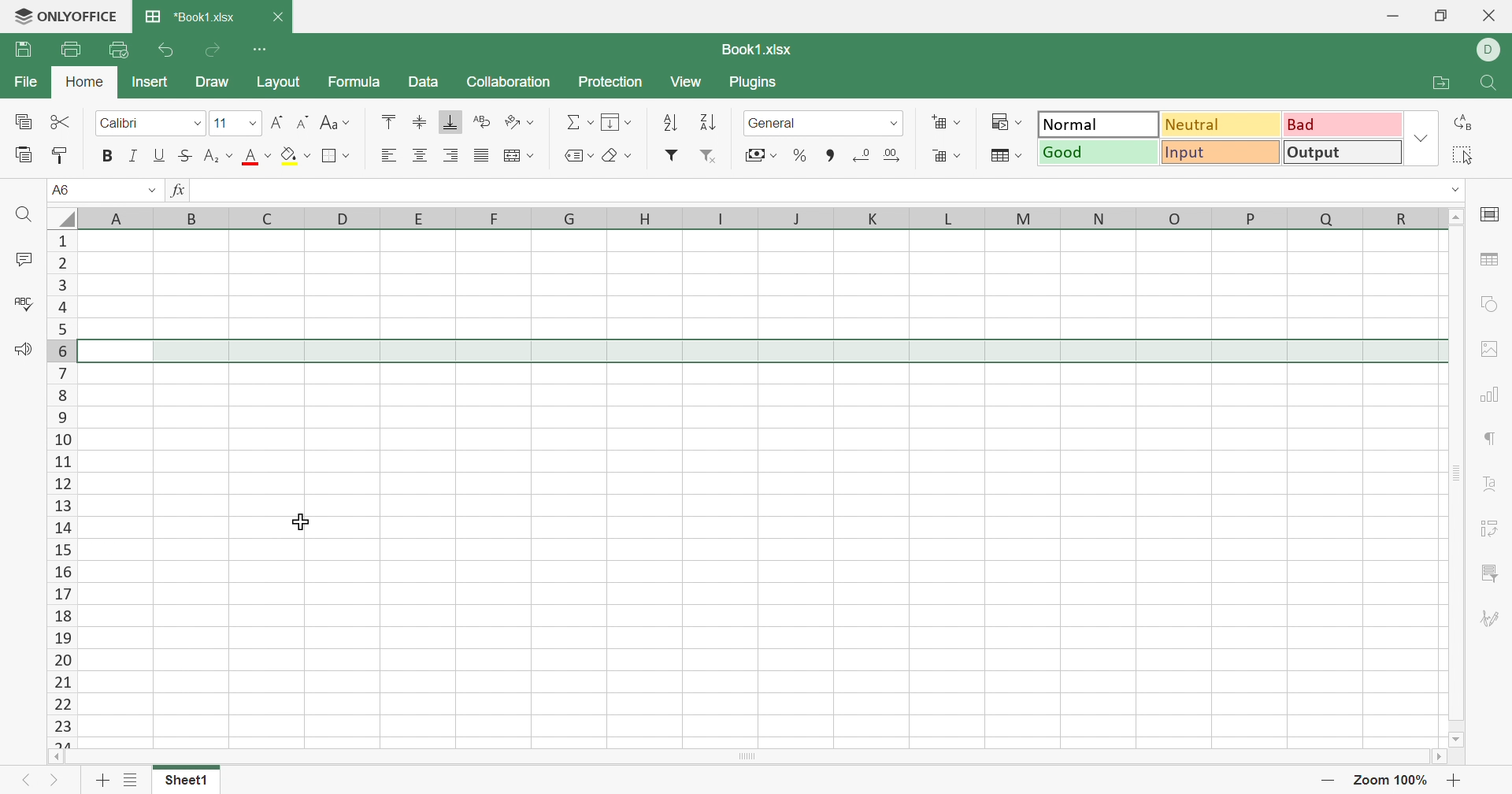  Describe the element at coordinates (518, 156) in the screenshot. I see `Merge and center` at that location.